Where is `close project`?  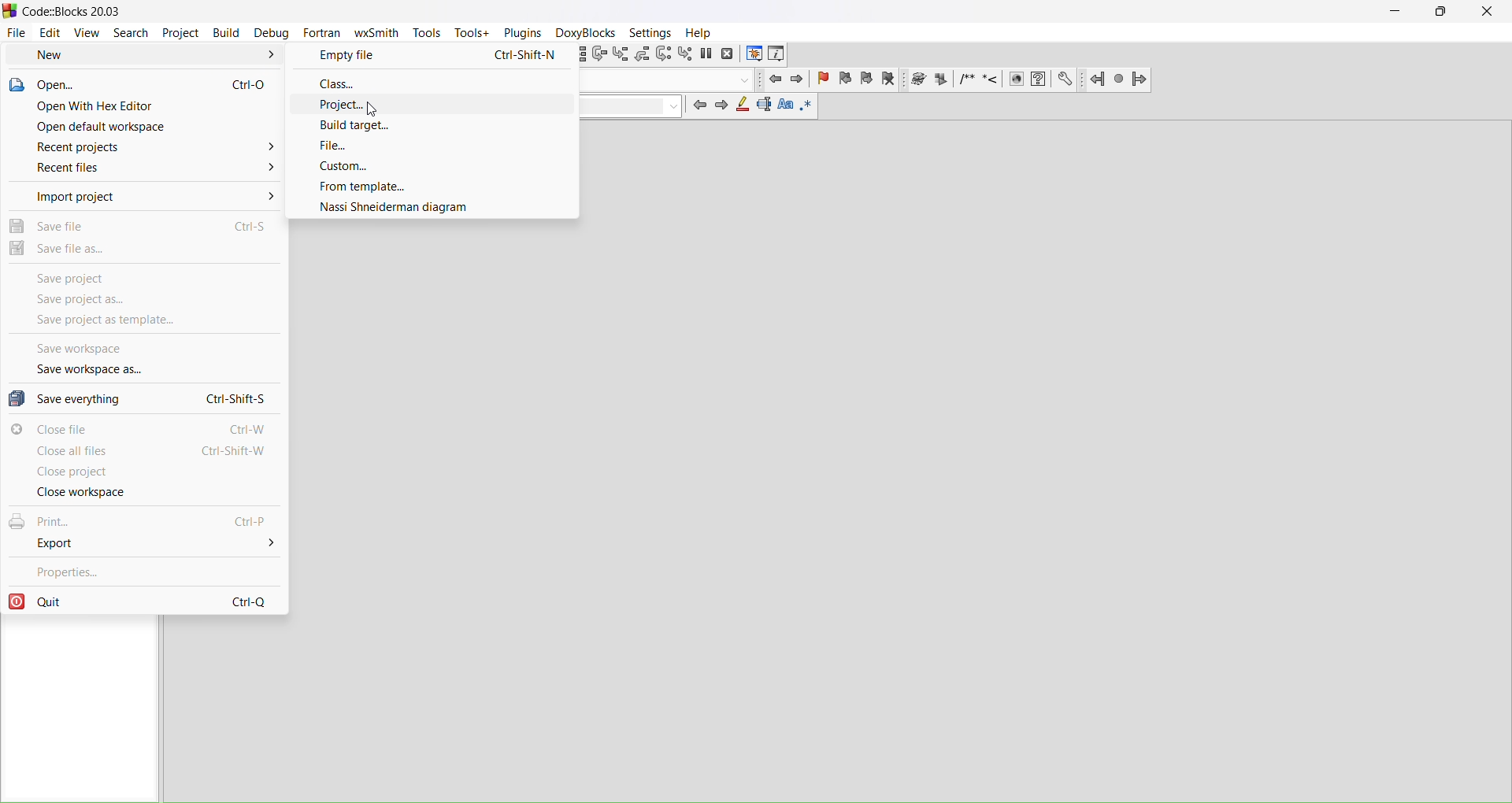 close project is located at coordinates (146, 472).